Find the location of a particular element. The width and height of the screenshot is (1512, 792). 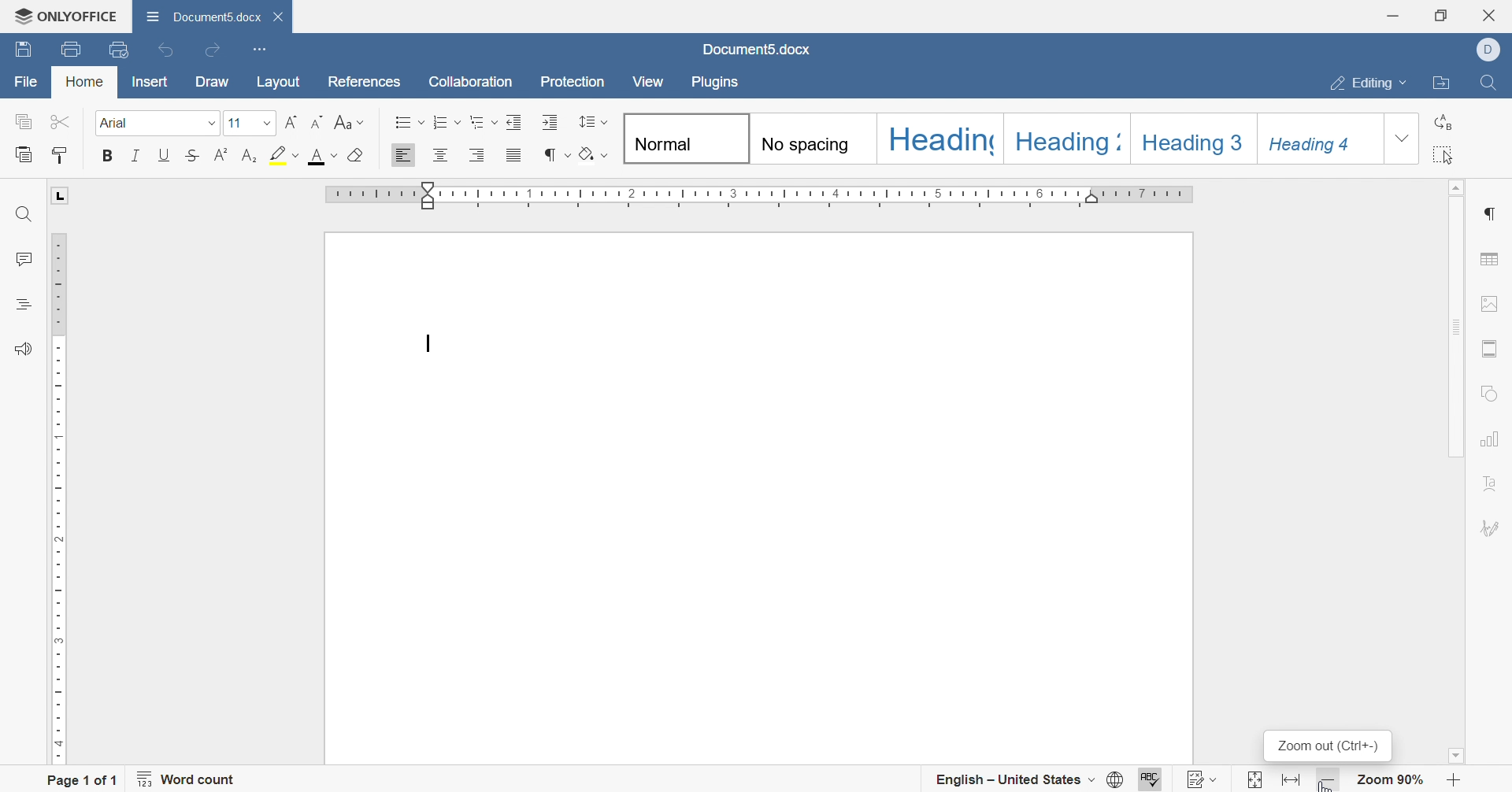

clear style is located at coordinates (594, 153).